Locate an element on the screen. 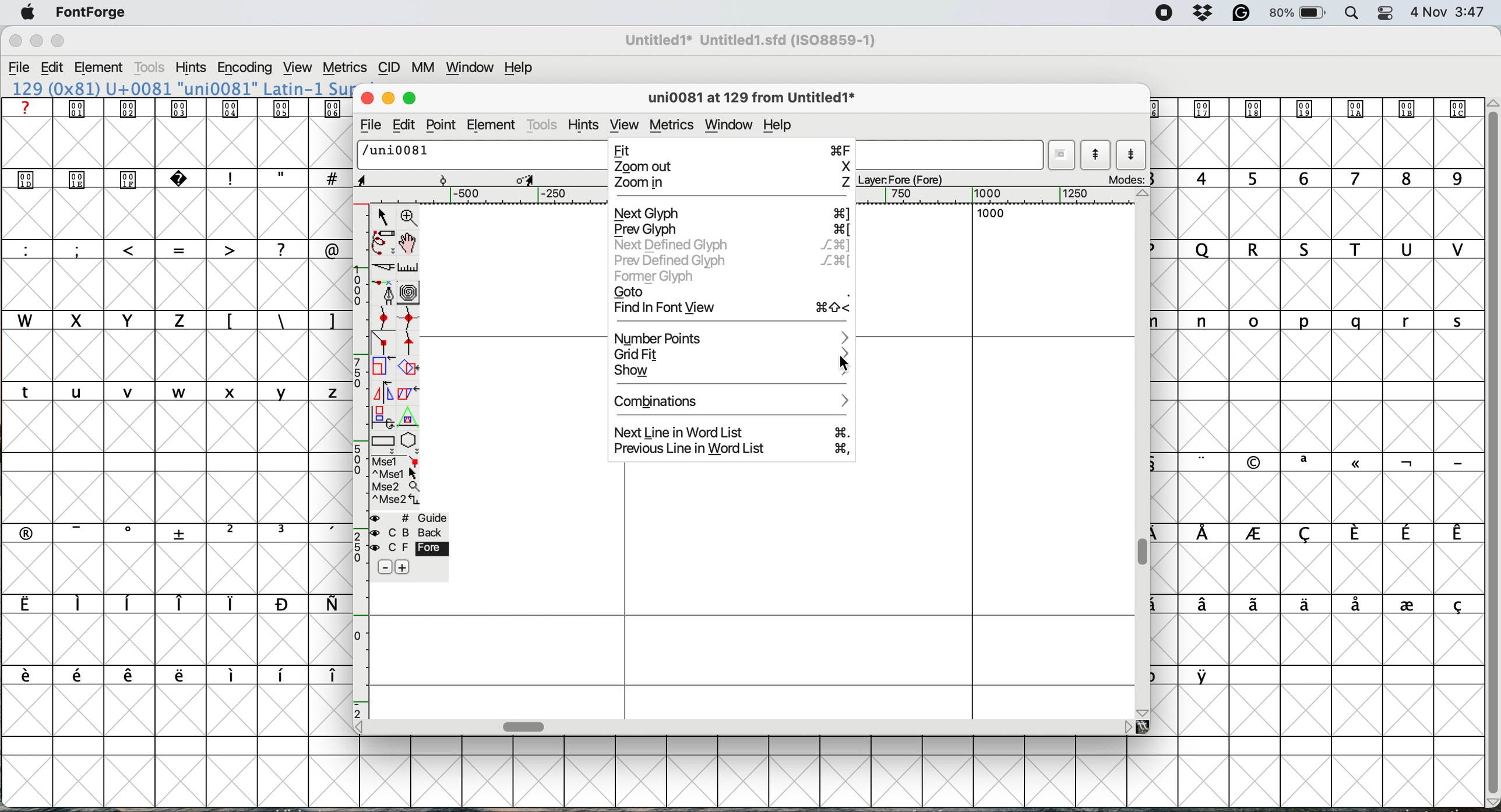  stars and polygons is located at coordinates (411, 443).